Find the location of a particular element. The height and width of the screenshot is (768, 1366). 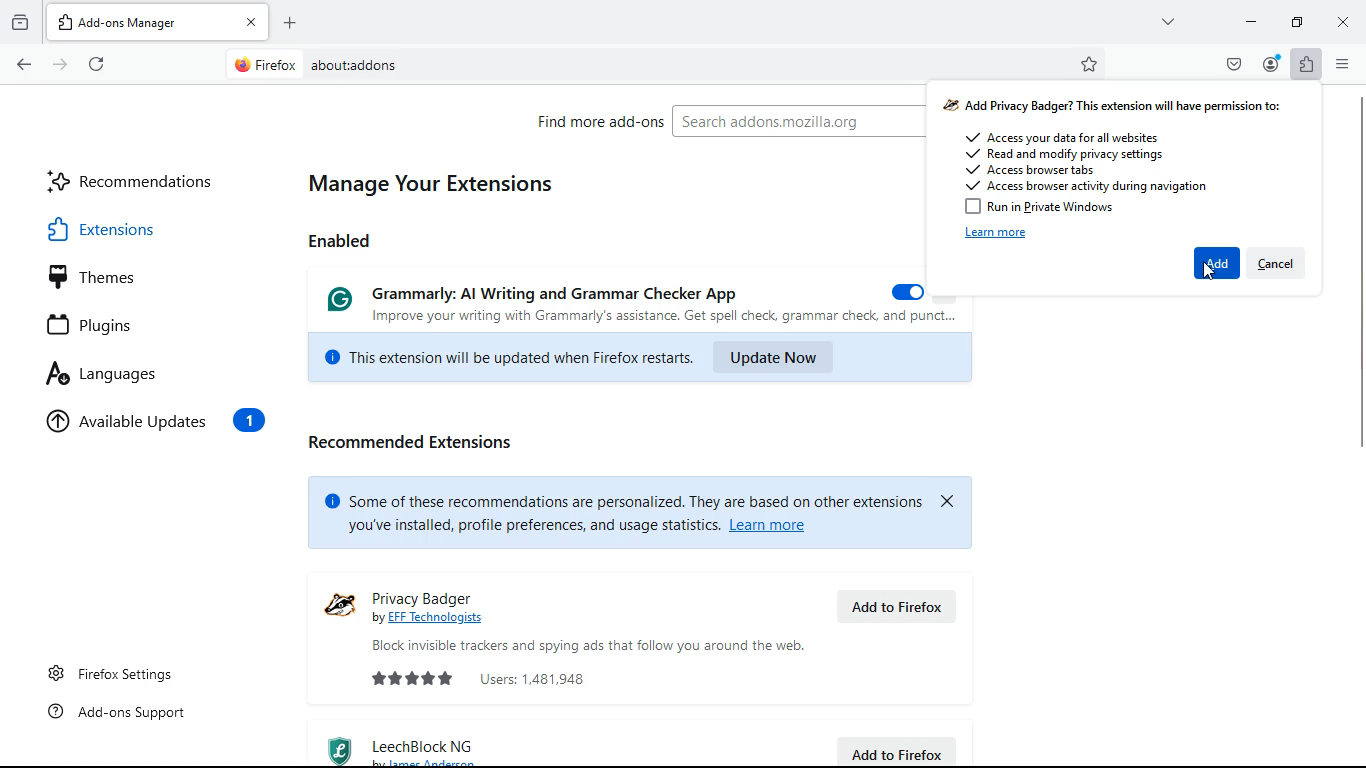

Add Privacy Badger? This extension will have permission to: is located at coordinates (1118, 105).